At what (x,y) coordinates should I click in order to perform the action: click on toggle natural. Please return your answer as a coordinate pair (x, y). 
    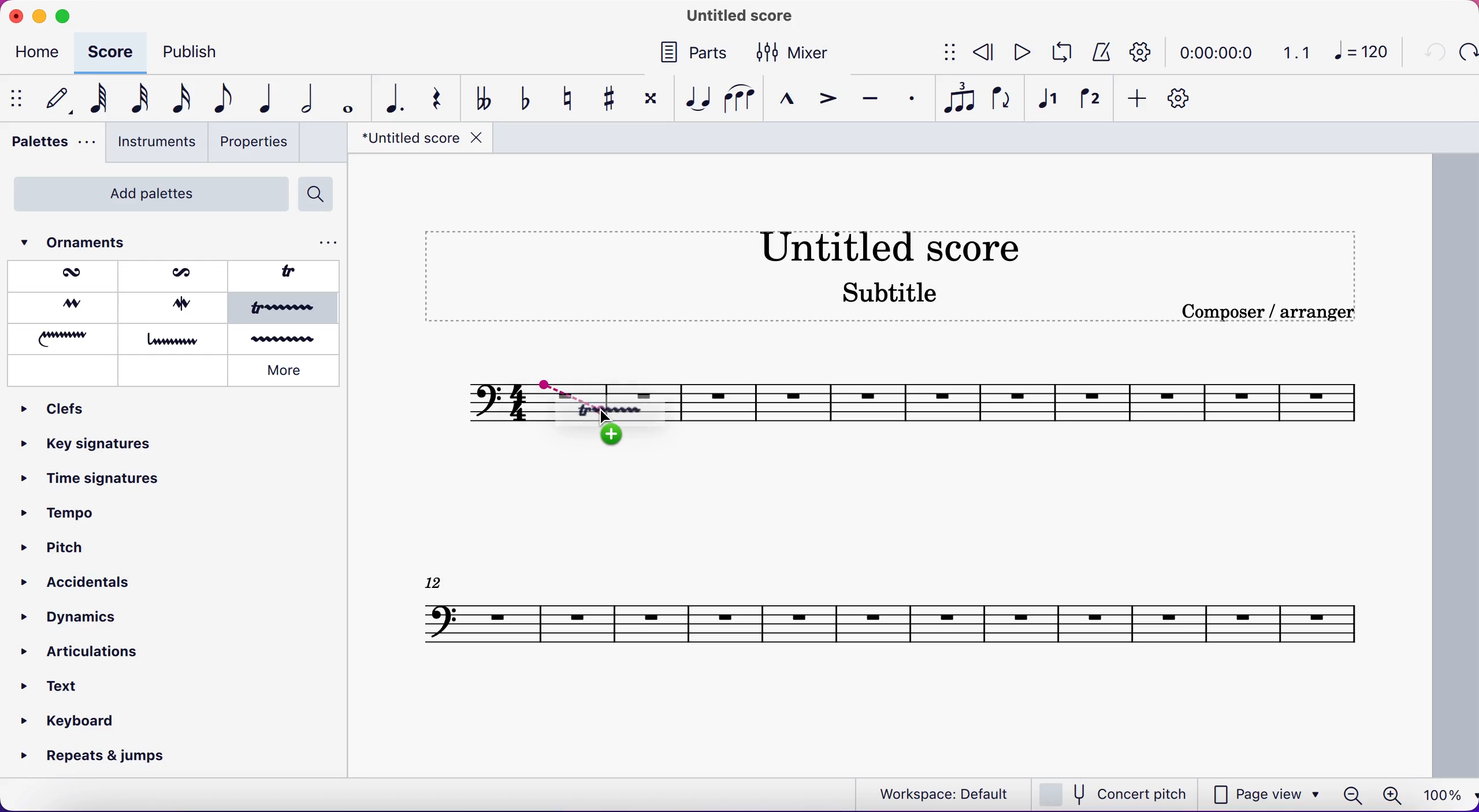
    Looking at the image, I should click on (567, 97).